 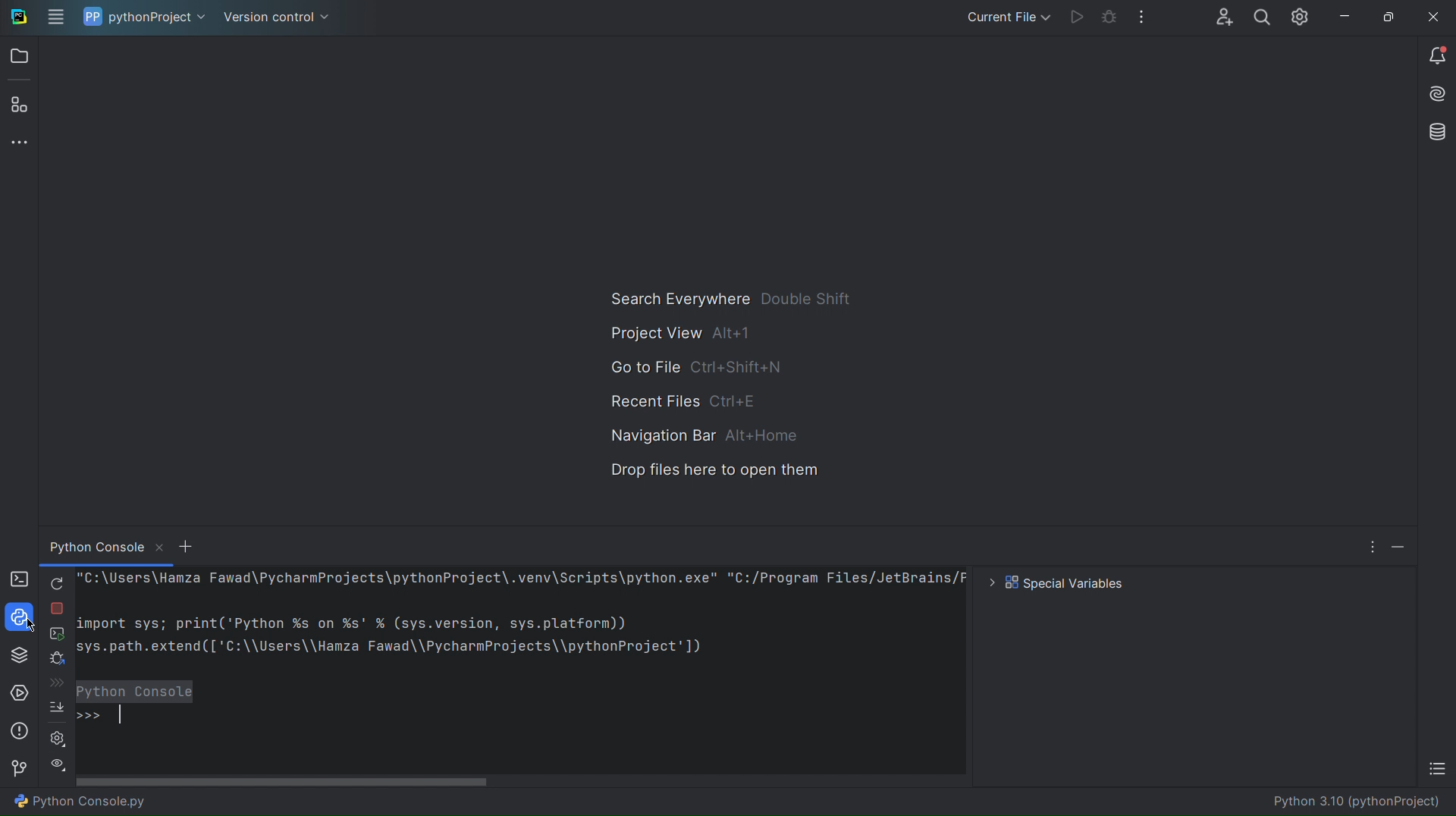 What do you see at coordinates (1103, 19) in the screenshot?
I see `Debug` at bounding box center [1103, 19].